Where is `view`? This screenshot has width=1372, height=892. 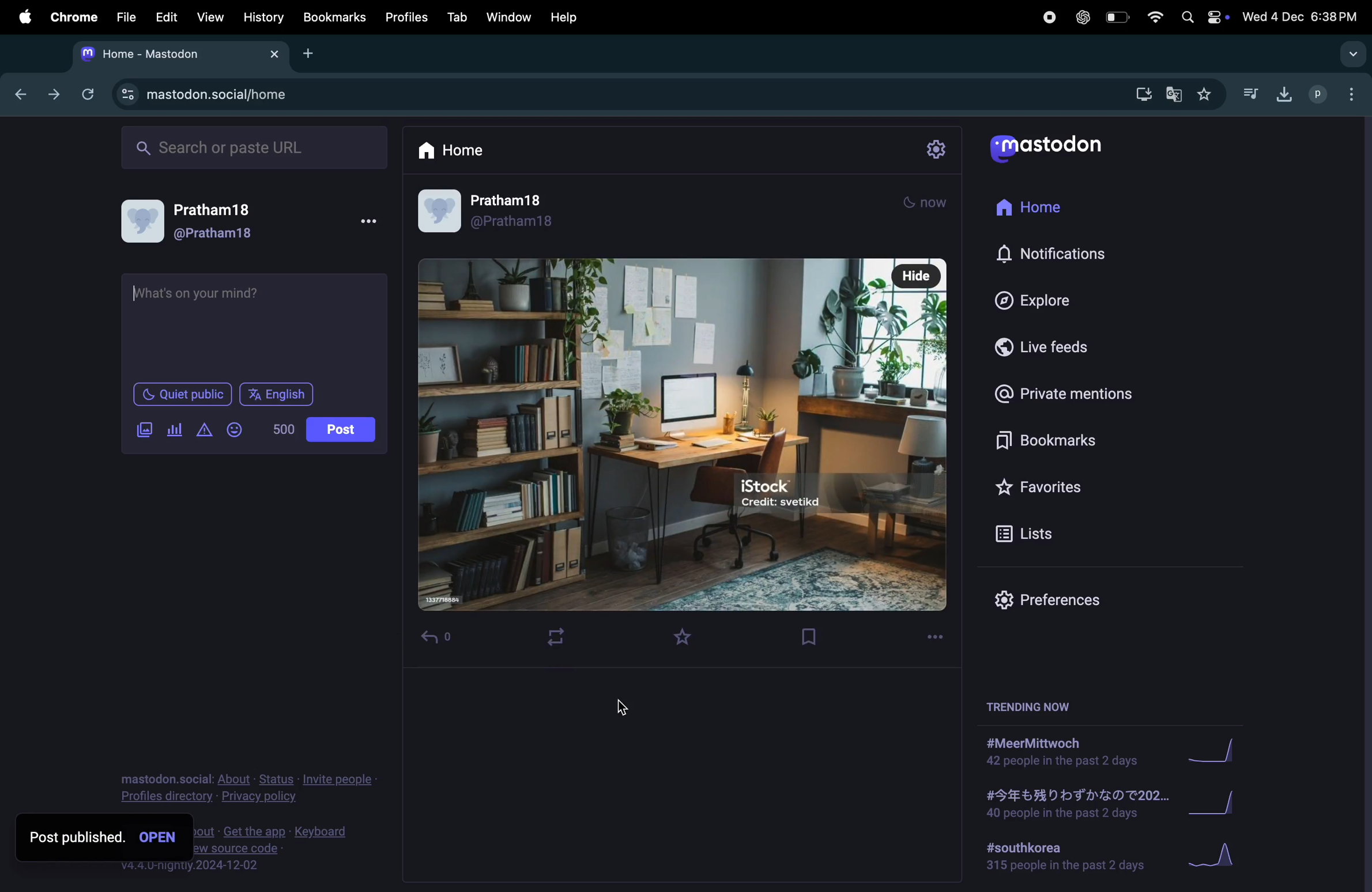 view is located at coordinates (210, 17).